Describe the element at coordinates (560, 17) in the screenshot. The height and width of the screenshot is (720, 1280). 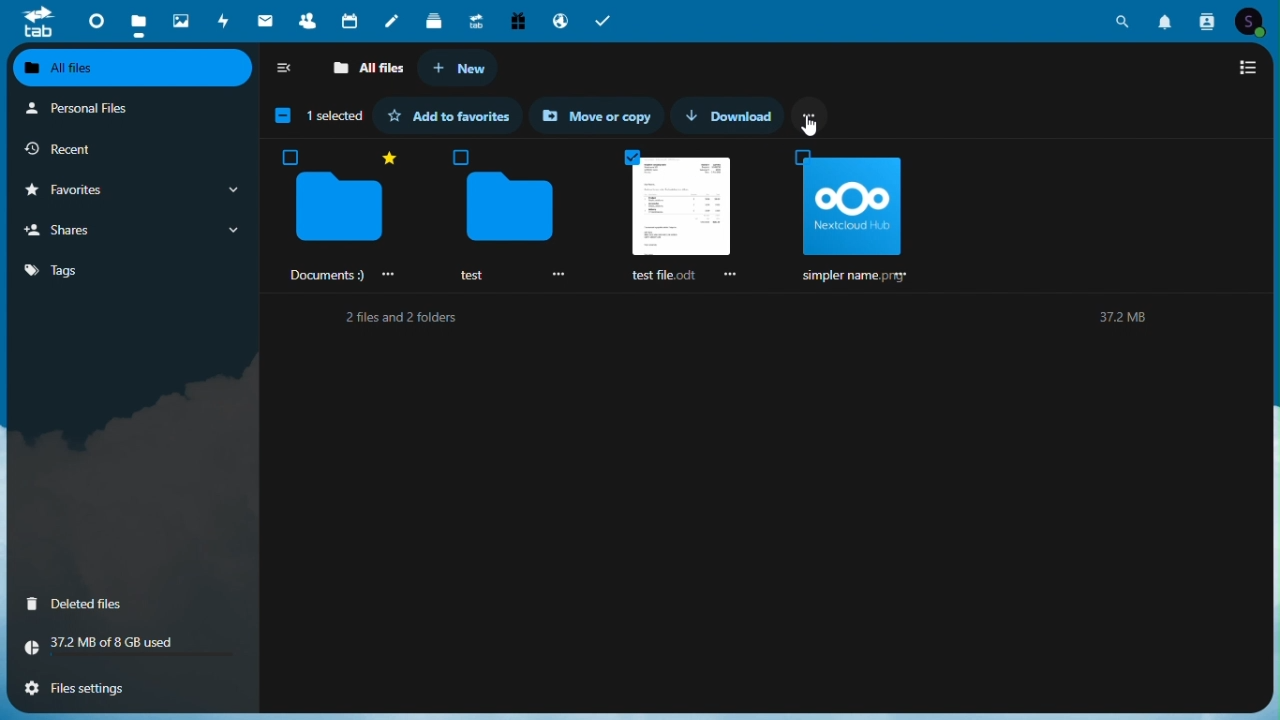
I see `email hosting` at that location.